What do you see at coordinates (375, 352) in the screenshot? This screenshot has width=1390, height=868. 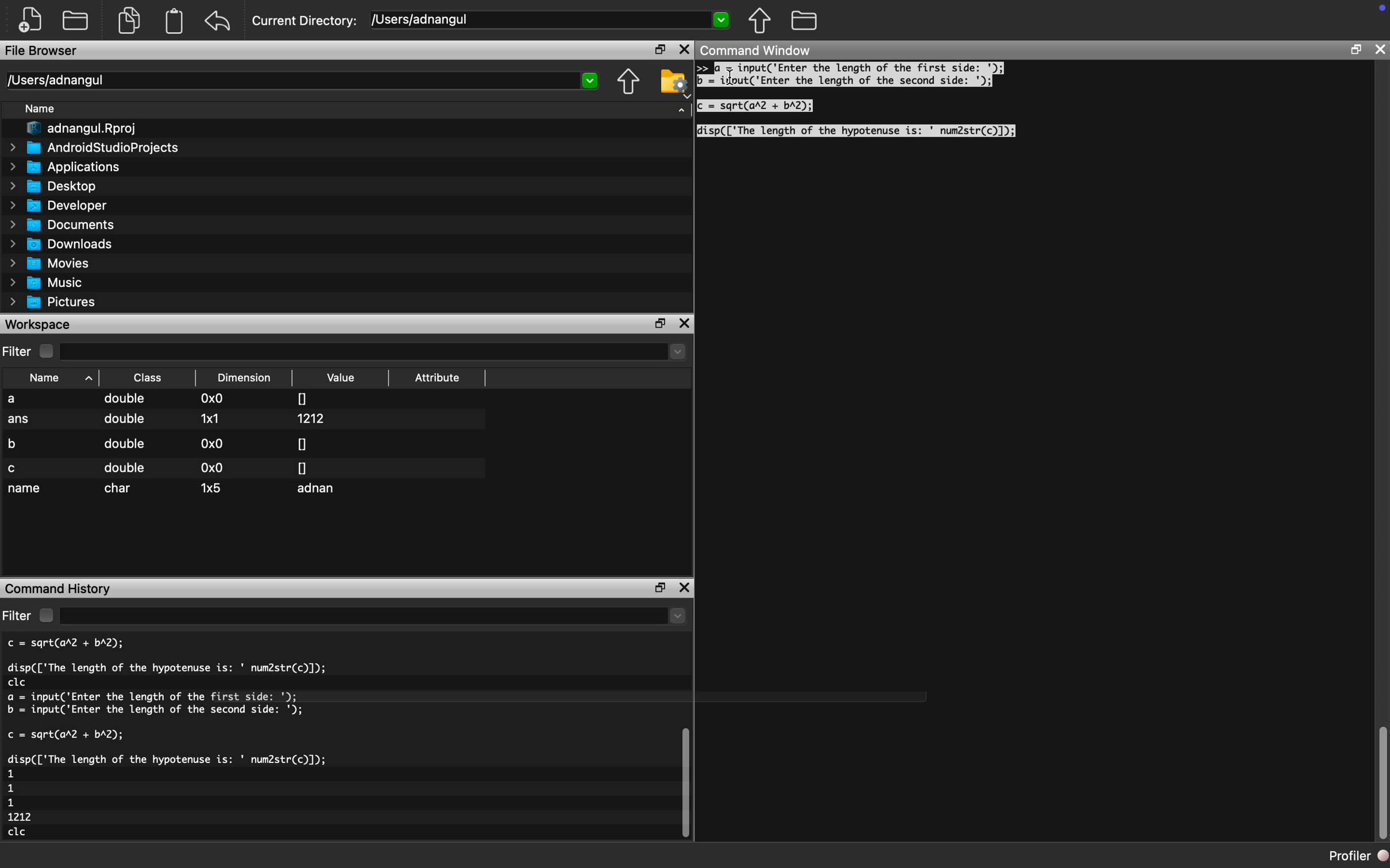 I see `dropdown` at bounding box center [375, 352].